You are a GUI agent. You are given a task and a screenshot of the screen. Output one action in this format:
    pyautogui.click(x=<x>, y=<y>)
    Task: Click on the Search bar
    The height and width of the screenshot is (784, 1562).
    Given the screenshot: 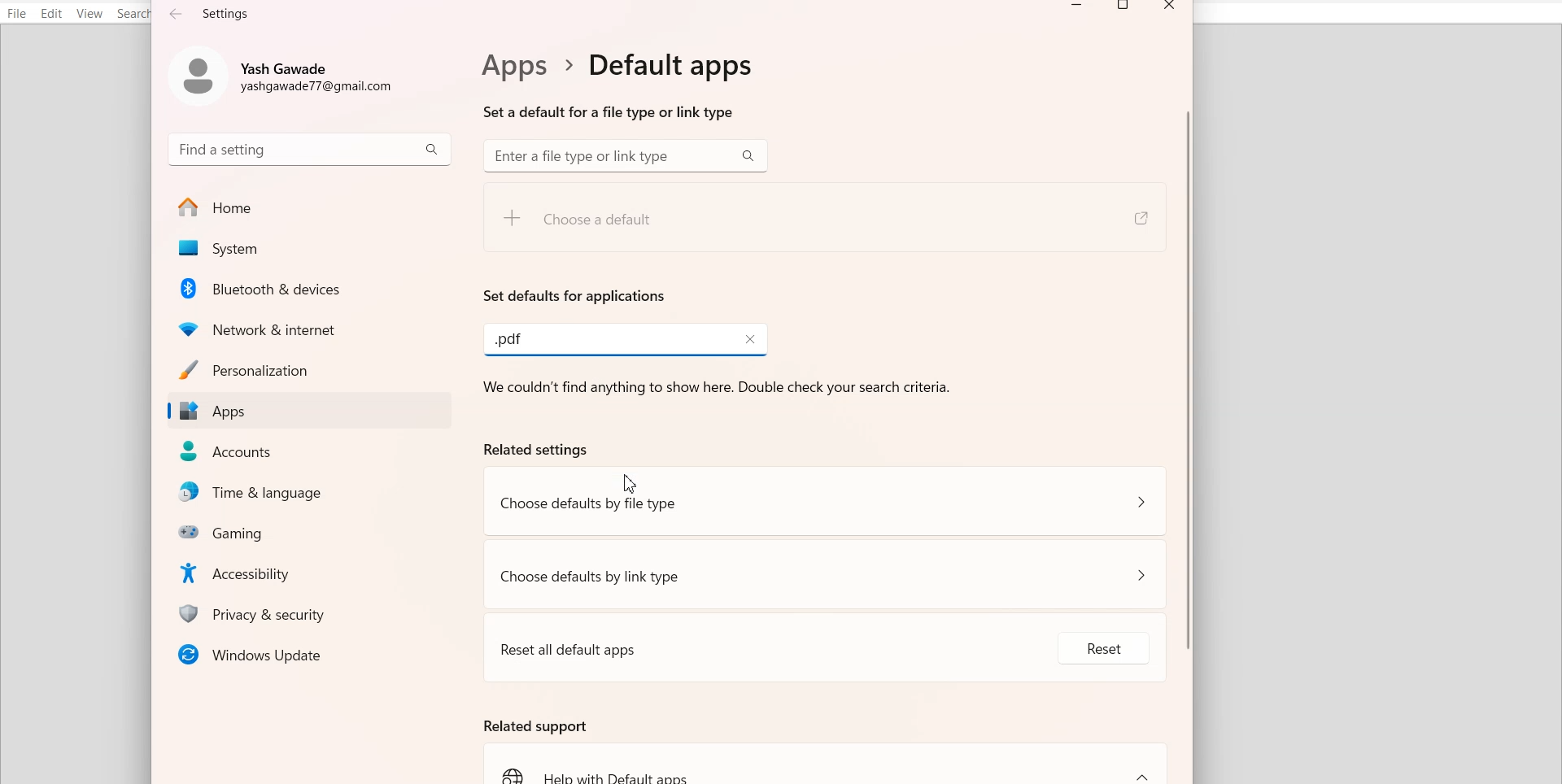 What is the action you would take?
    pyautogui.click(x=625, y=156)
    